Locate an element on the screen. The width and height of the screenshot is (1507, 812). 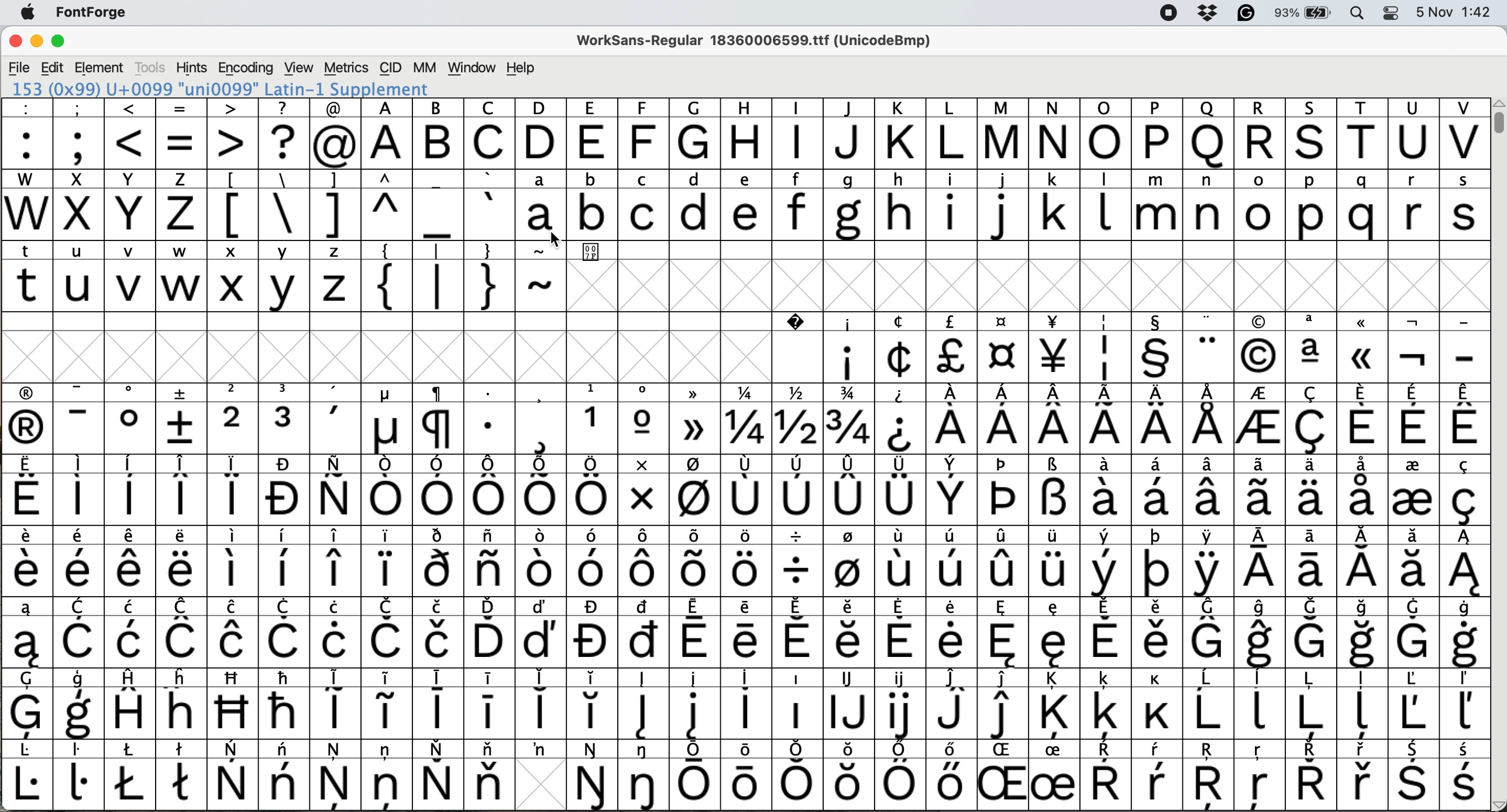
symbol is located at coordinates (285, 632).